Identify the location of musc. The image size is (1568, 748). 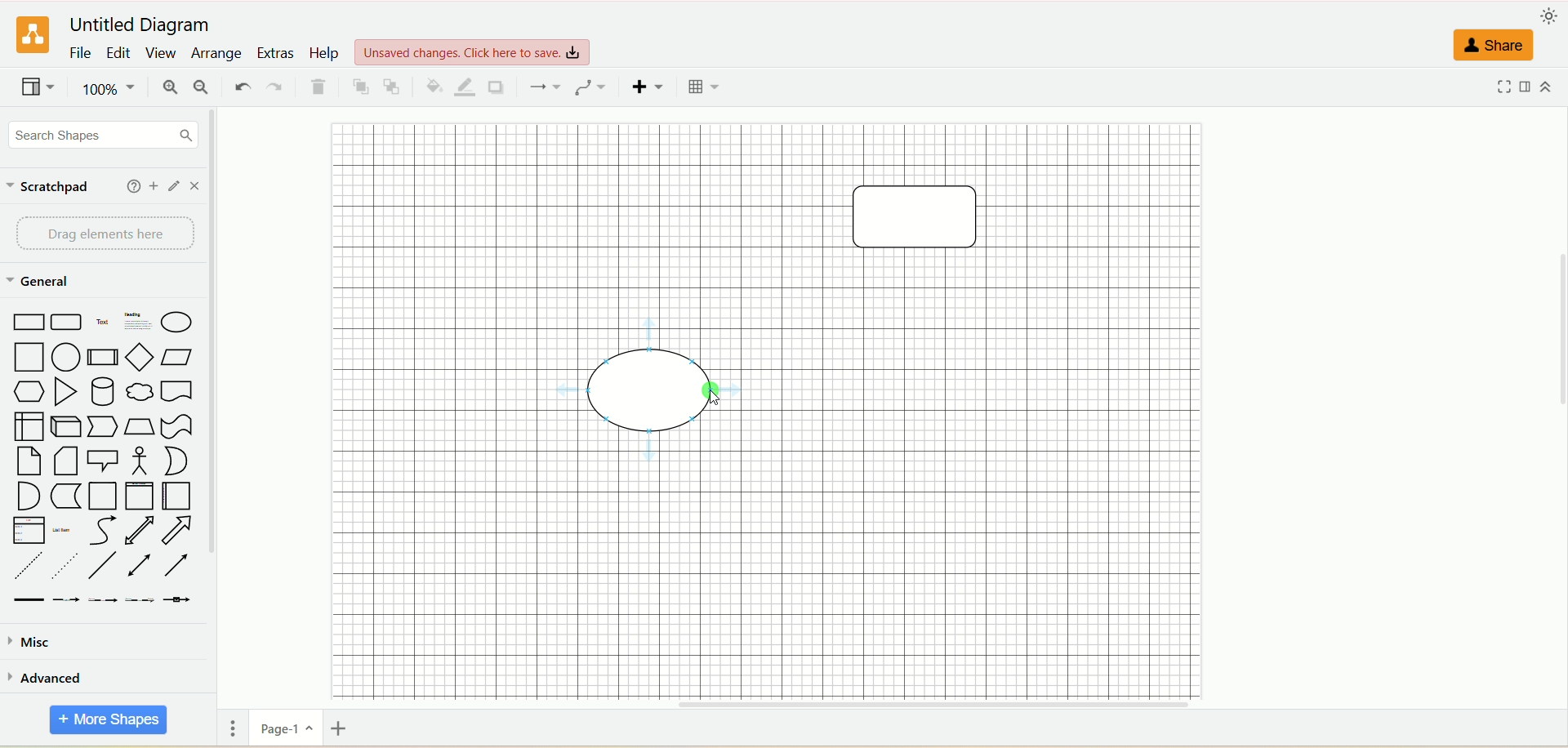
(28, 641).